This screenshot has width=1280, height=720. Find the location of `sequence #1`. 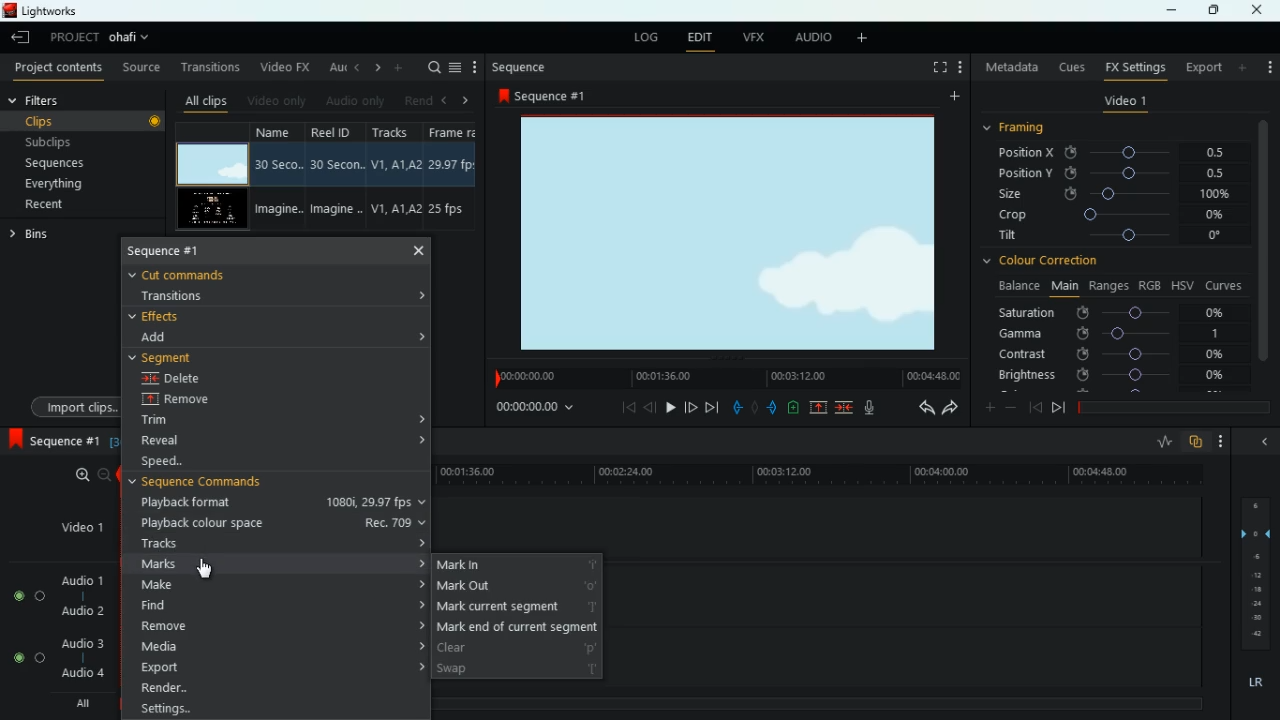

sequence #1 is located at coordinates (544, 97).